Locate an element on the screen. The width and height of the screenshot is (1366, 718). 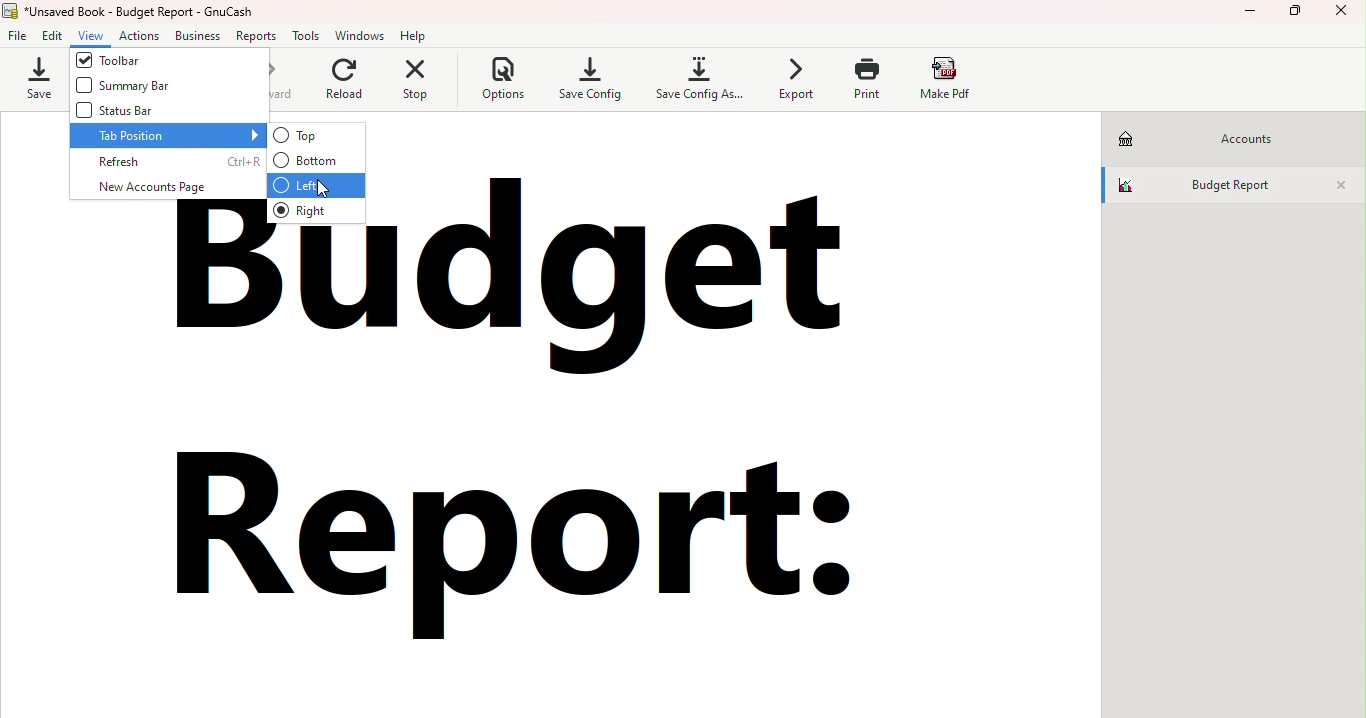
Toolbar is located at coordinates (148, 60).